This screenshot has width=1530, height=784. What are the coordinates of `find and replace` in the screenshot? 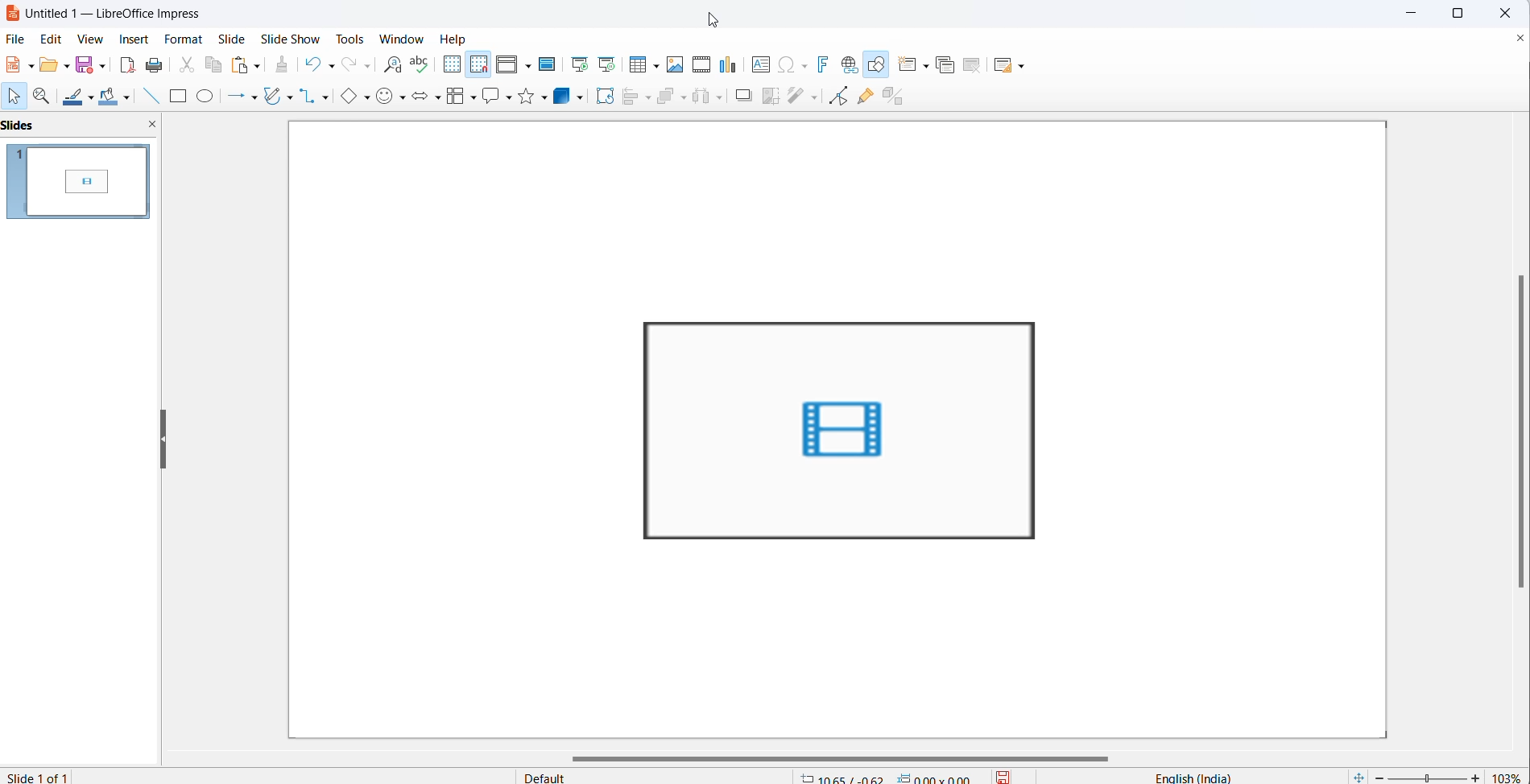 It's located at (390, 66).